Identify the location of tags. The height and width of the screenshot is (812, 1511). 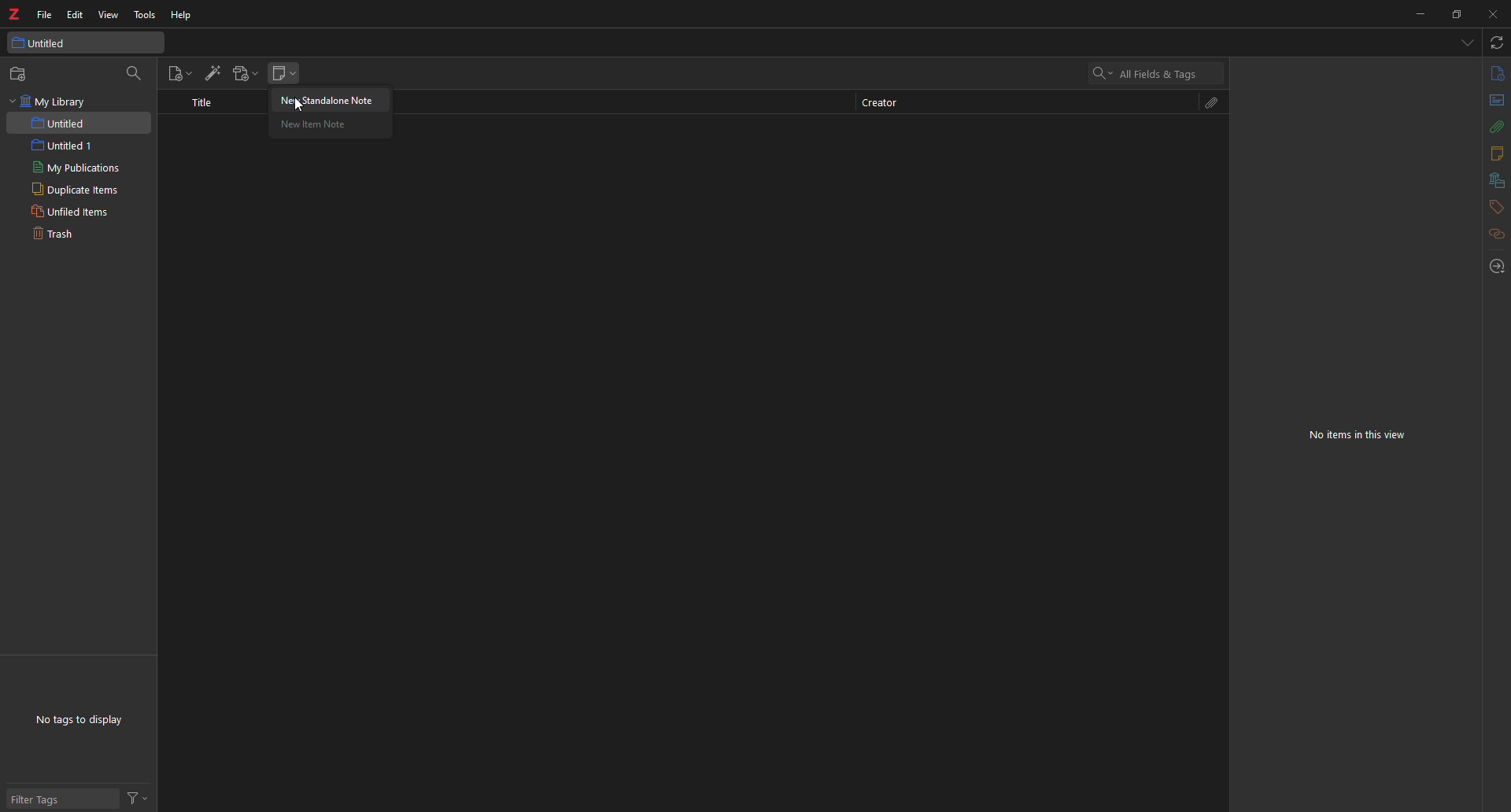
(1489, 207).